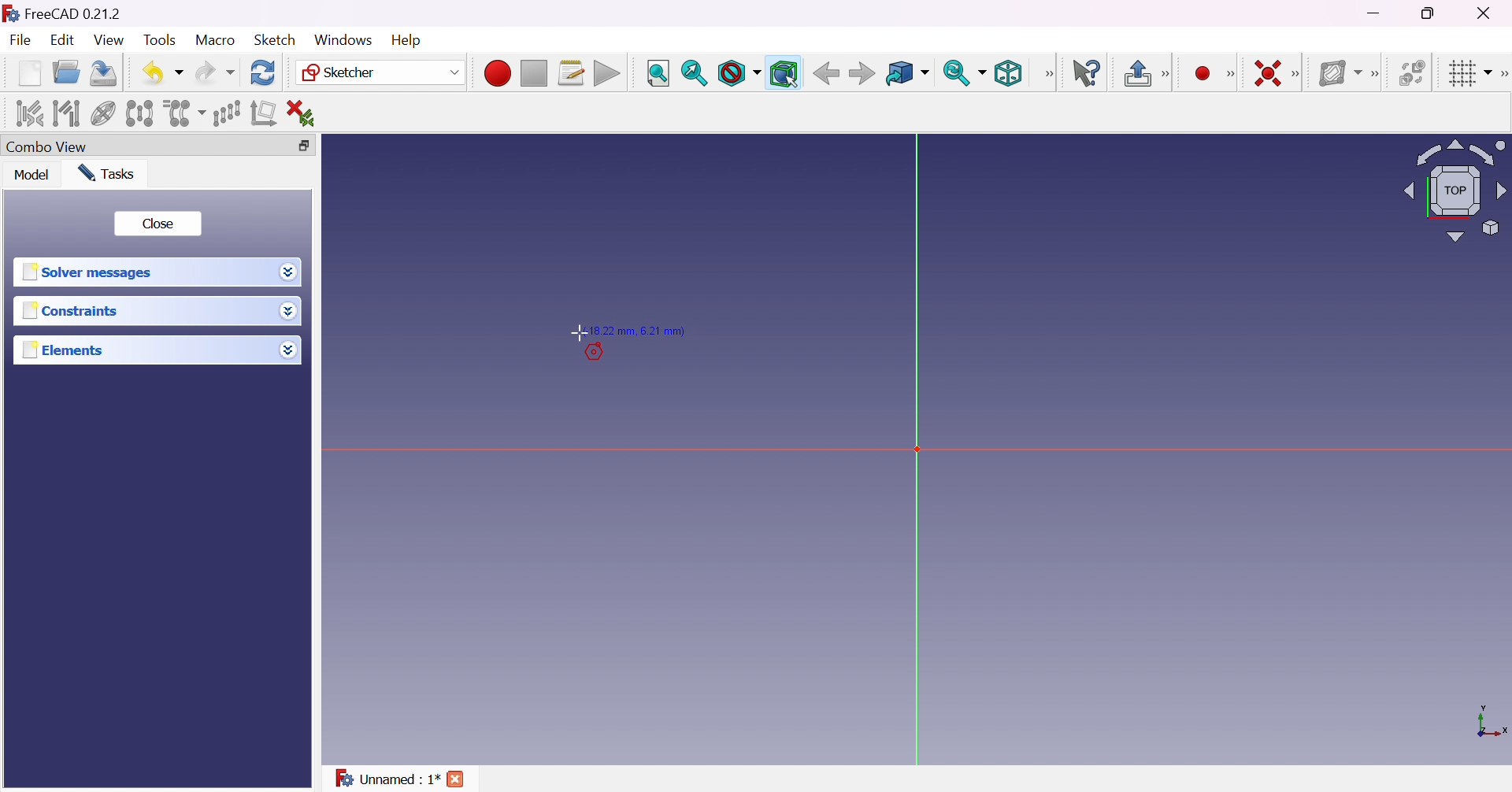 The width and height of the screenshot is (1512, 792). Describe the element at coordinates (590, 355) in the screenshot. I see `Preview` at that location.